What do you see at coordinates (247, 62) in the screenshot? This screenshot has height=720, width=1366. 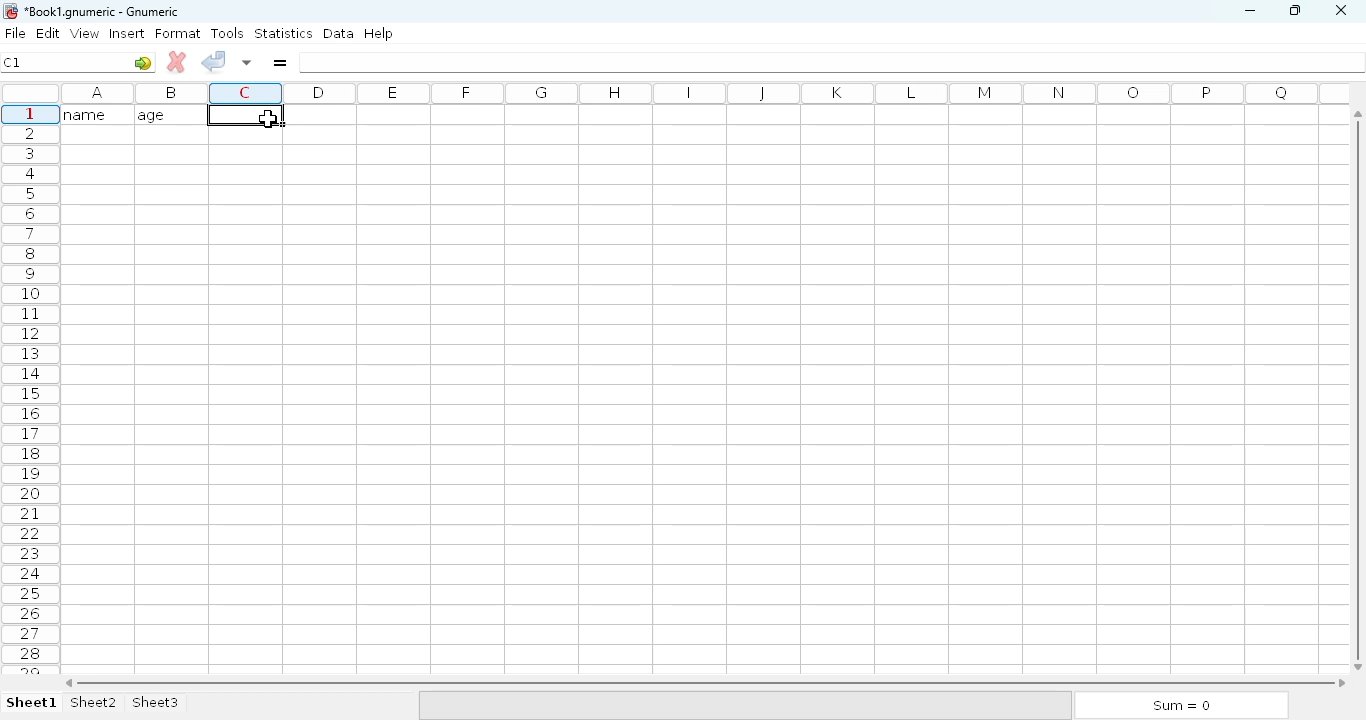 I see `accept change in multiple cells` at bounding box center [247, 62].